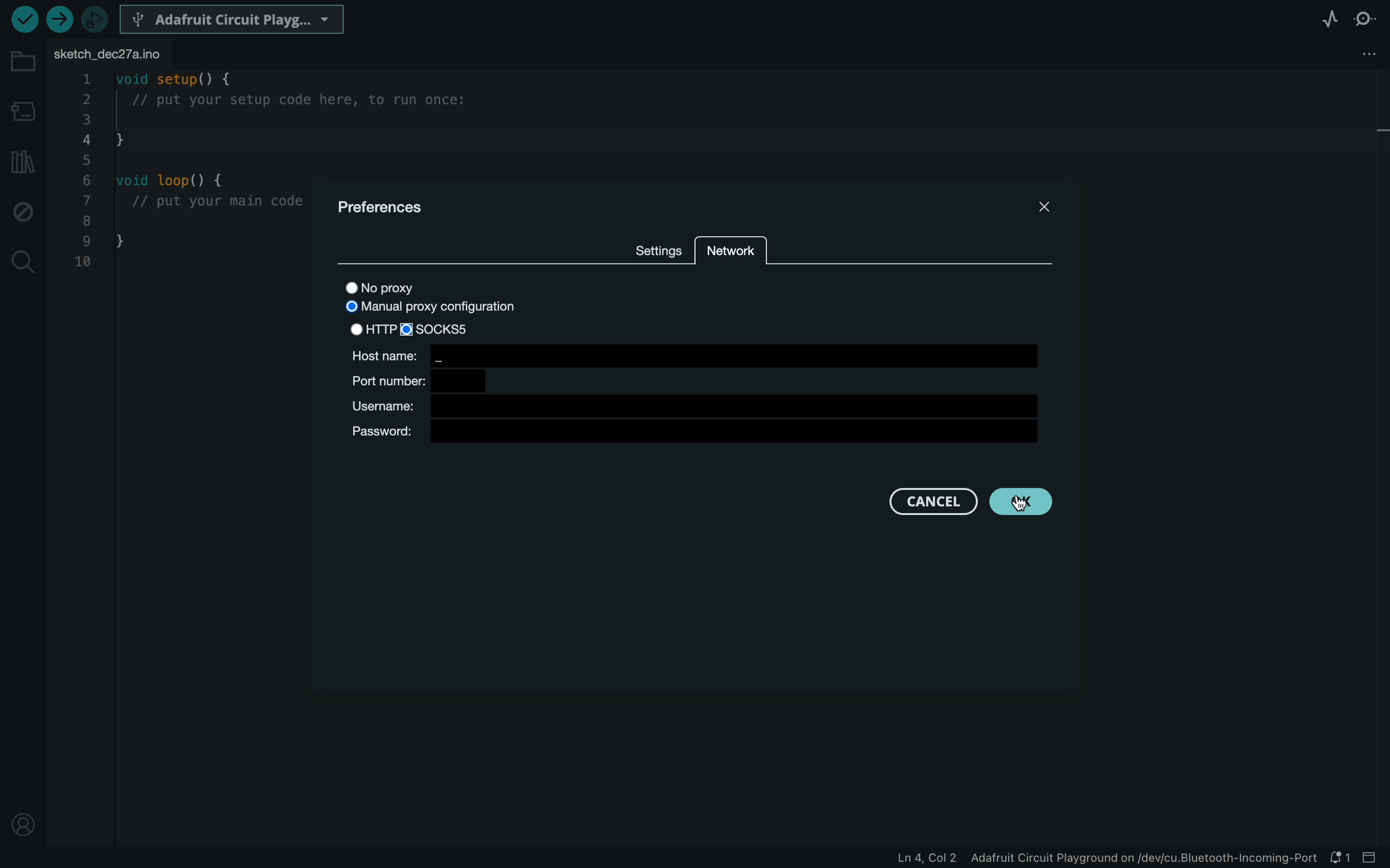  Describe the element at coordinates (1367, 18) in the screenshot. I see `serial monitor` at that location.